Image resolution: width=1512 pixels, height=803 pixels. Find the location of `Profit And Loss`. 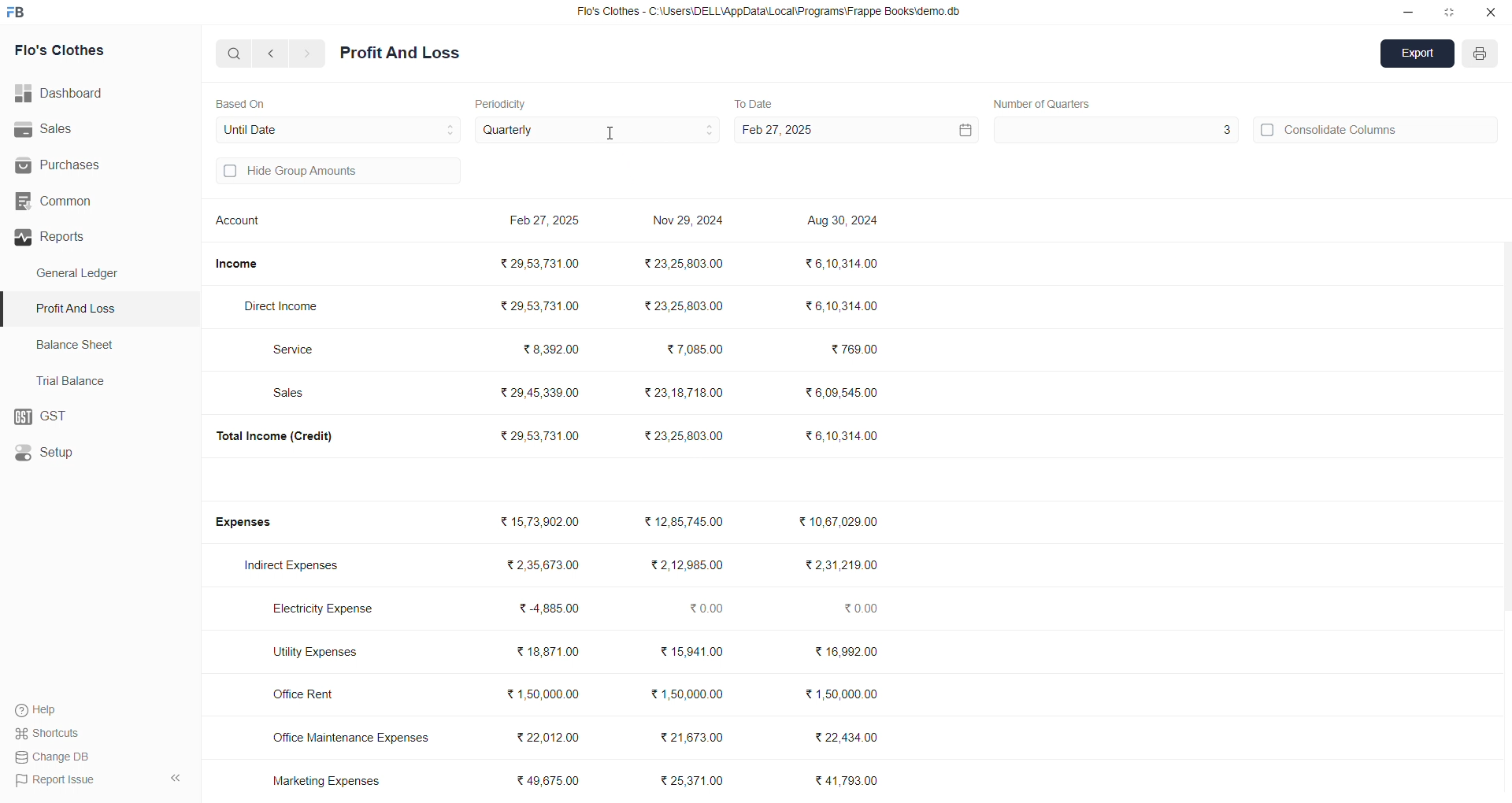

Profit And Loss is located at coordinates (103, 308).